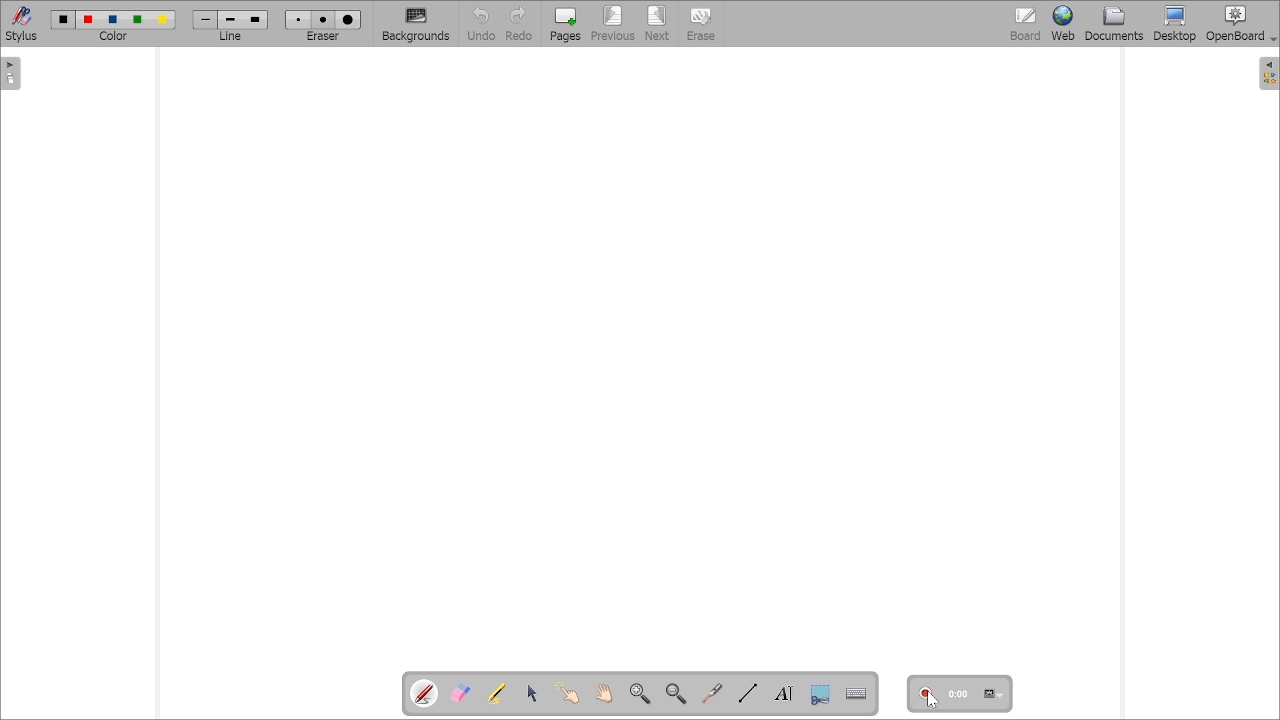  What do you see at coordinates (711, 693) in the screenshot?
I see `Virtual laser pointer` at bounding box center [711, 693].